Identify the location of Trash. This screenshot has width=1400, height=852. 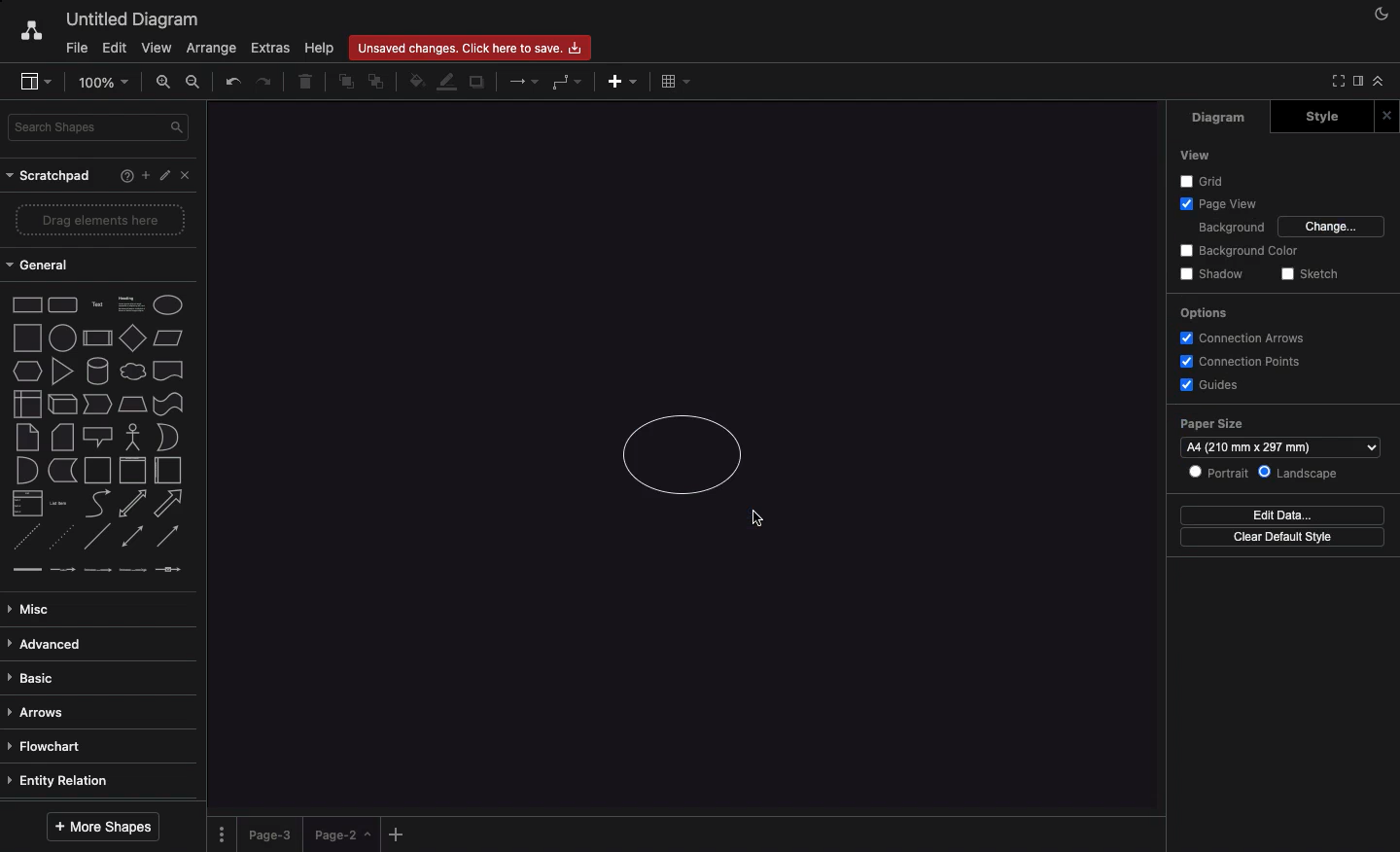
(306, 83).